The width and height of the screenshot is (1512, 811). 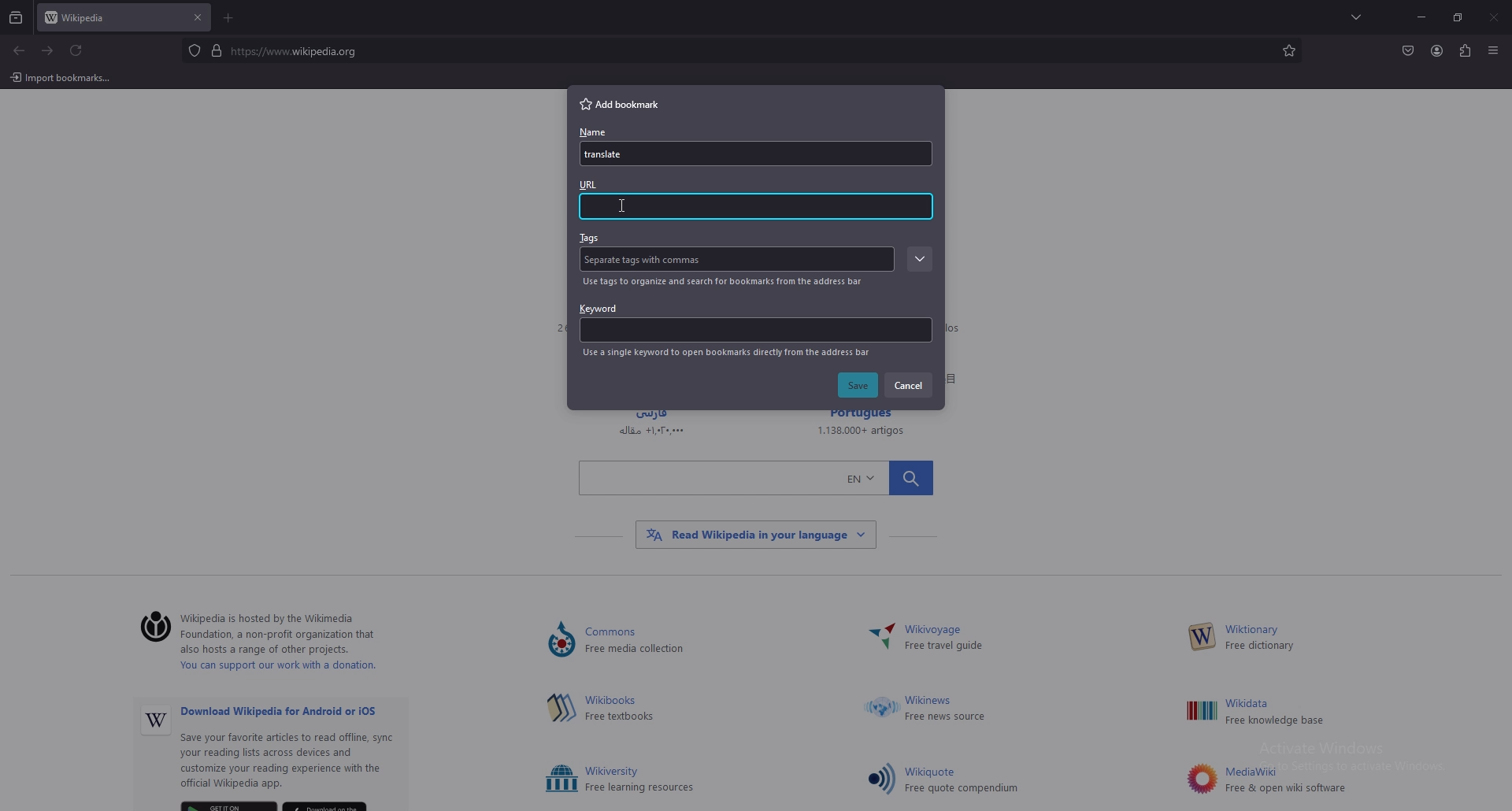 I want to click on keyword, so click(x=750, y=321).